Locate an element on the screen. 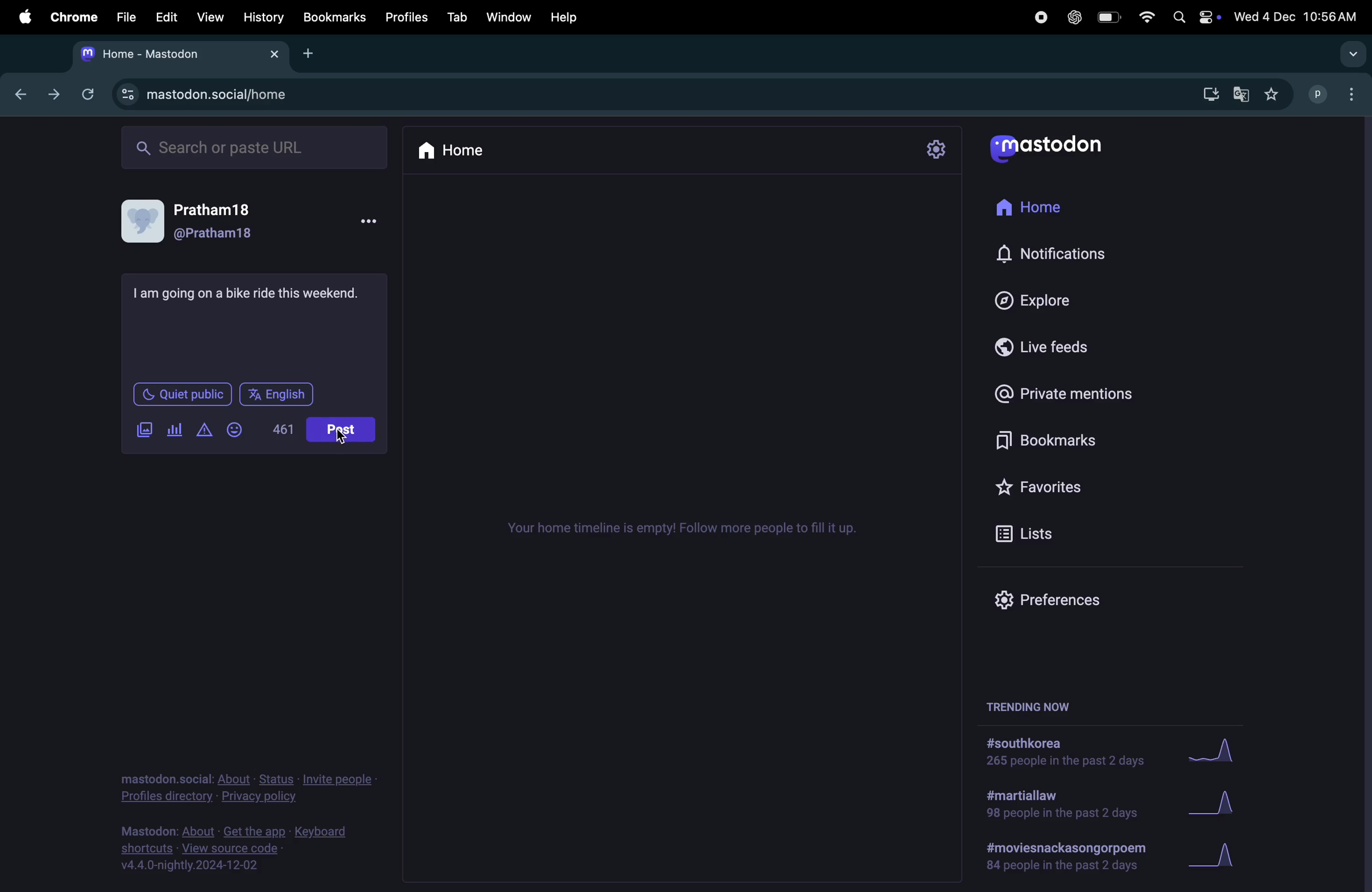 The image size is (1372, 892). hlep is located at coordinates (569, 17).